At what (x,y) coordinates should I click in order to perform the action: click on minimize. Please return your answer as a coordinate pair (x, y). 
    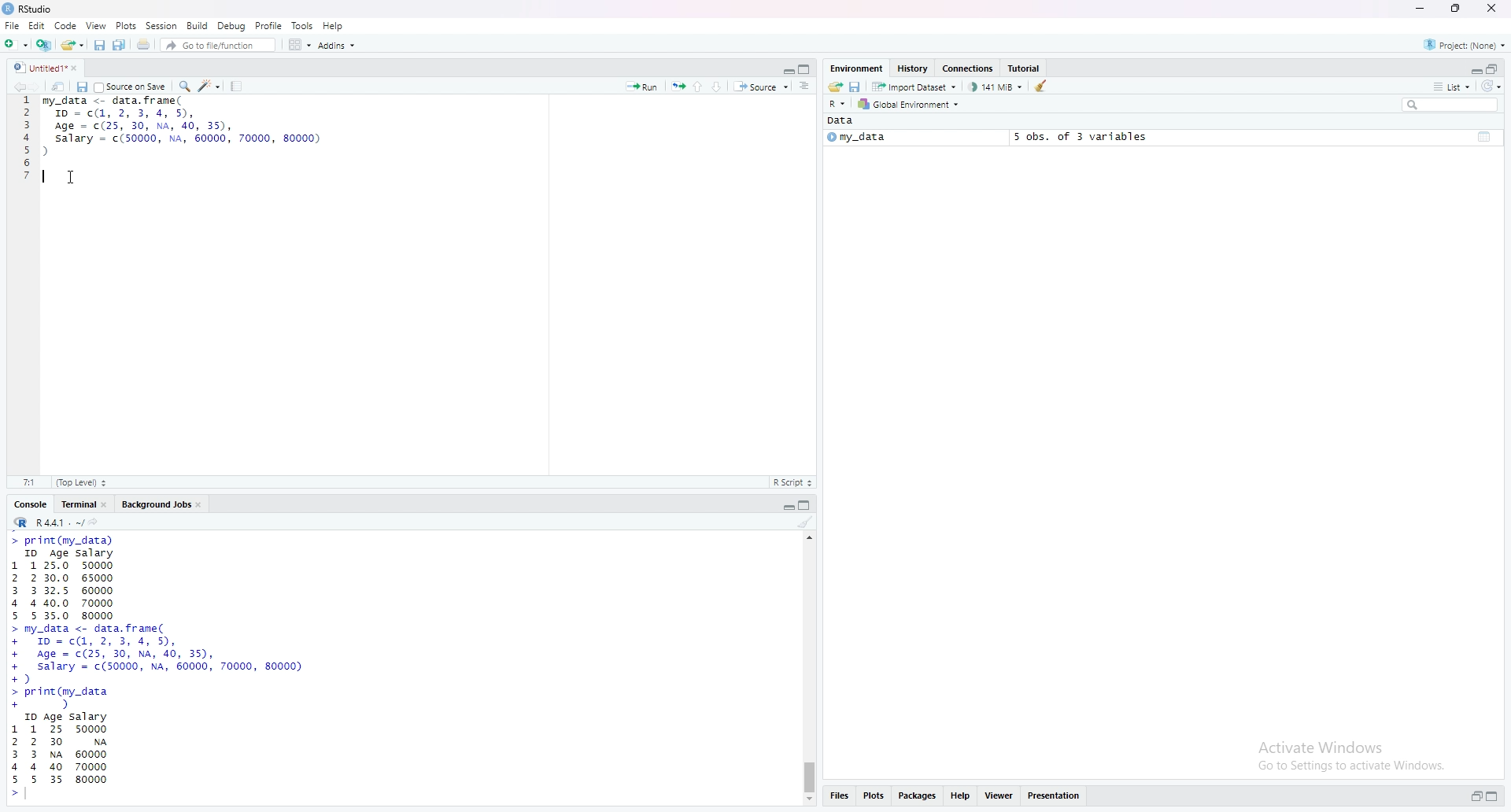
    Looking at the image, I should click on (1417, 9).